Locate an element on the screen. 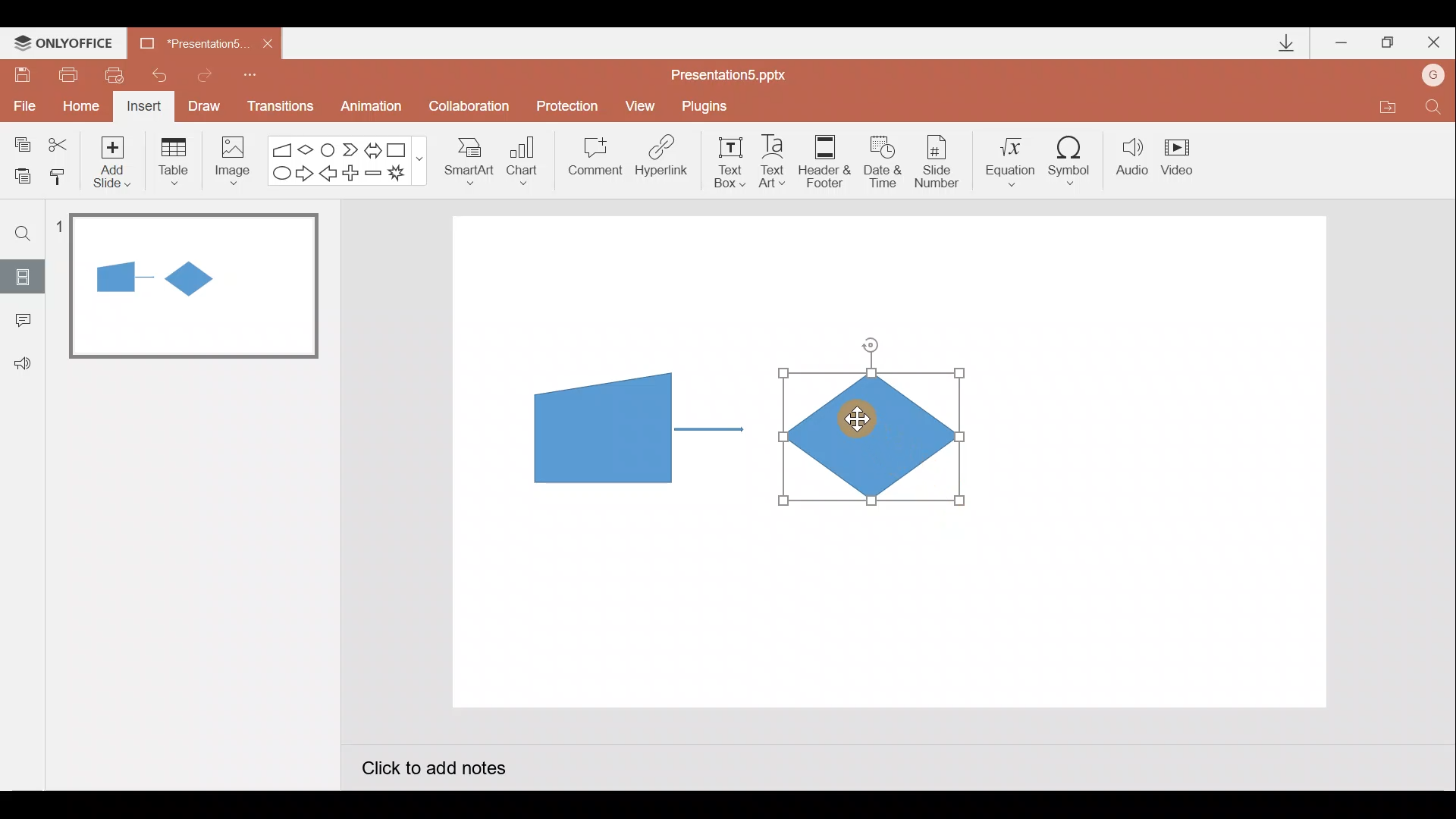 The width and height of the screenshot is (1456, 819). ONLYOFFICE is located at coordinates (67, 43).